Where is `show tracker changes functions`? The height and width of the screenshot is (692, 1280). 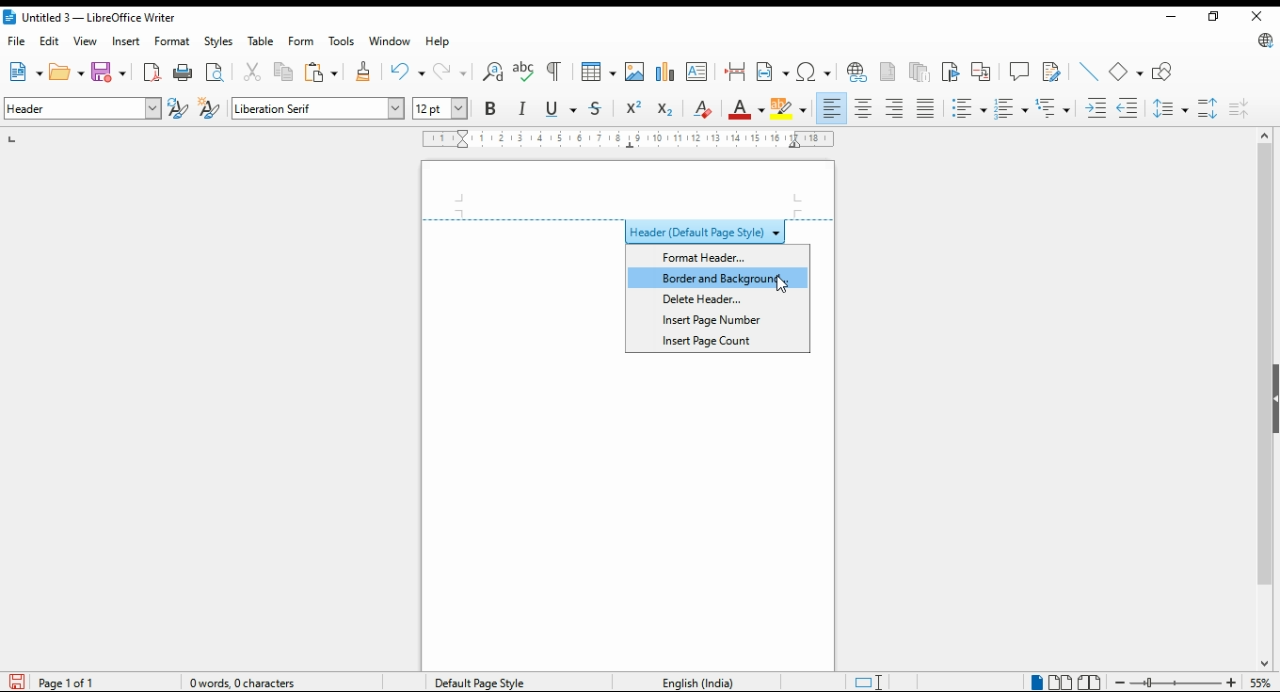 show tracker changes functions is located at coordinates (1054, 70).